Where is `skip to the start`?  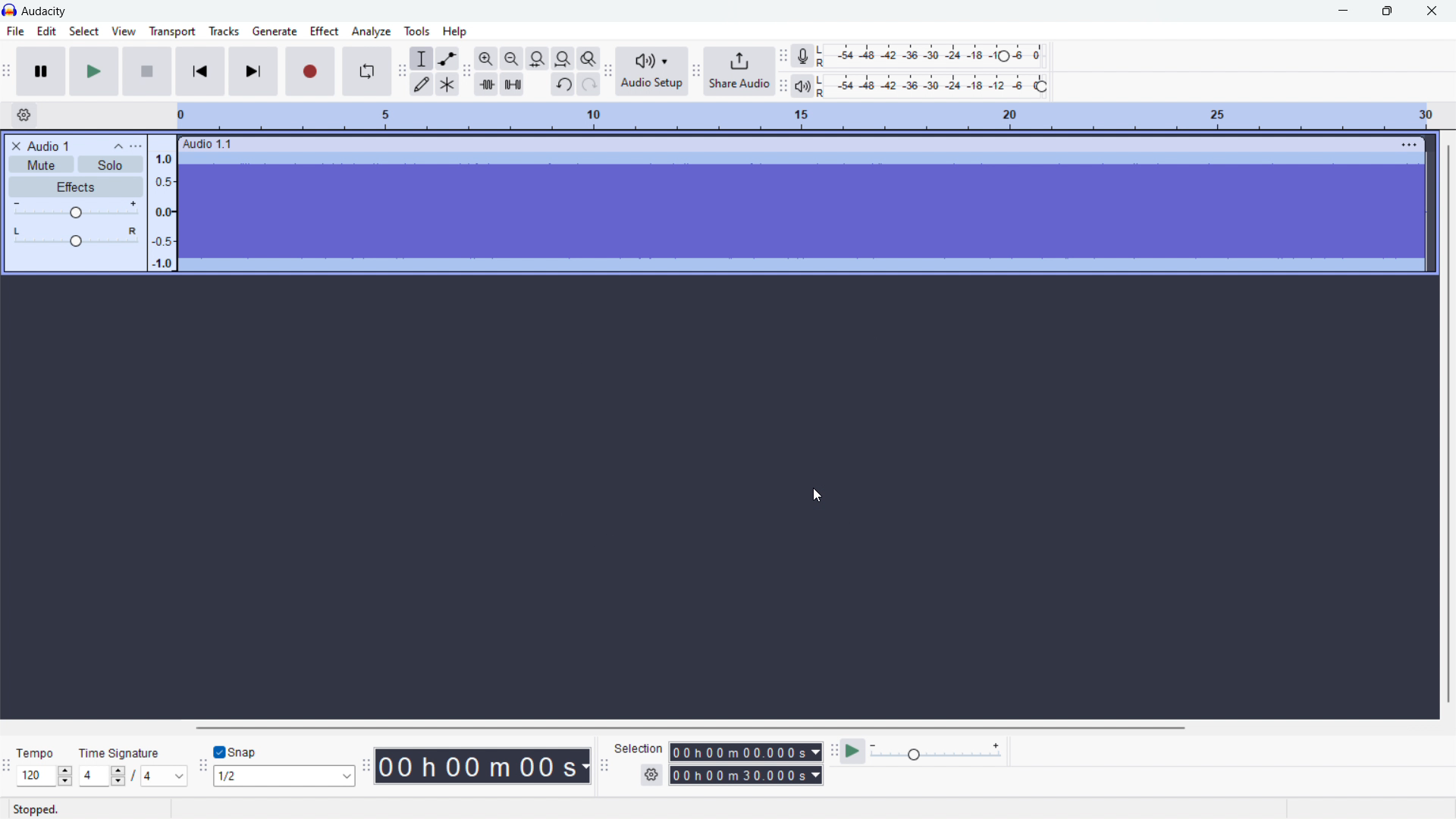 skip to the start is located at coordinates (200, 71).